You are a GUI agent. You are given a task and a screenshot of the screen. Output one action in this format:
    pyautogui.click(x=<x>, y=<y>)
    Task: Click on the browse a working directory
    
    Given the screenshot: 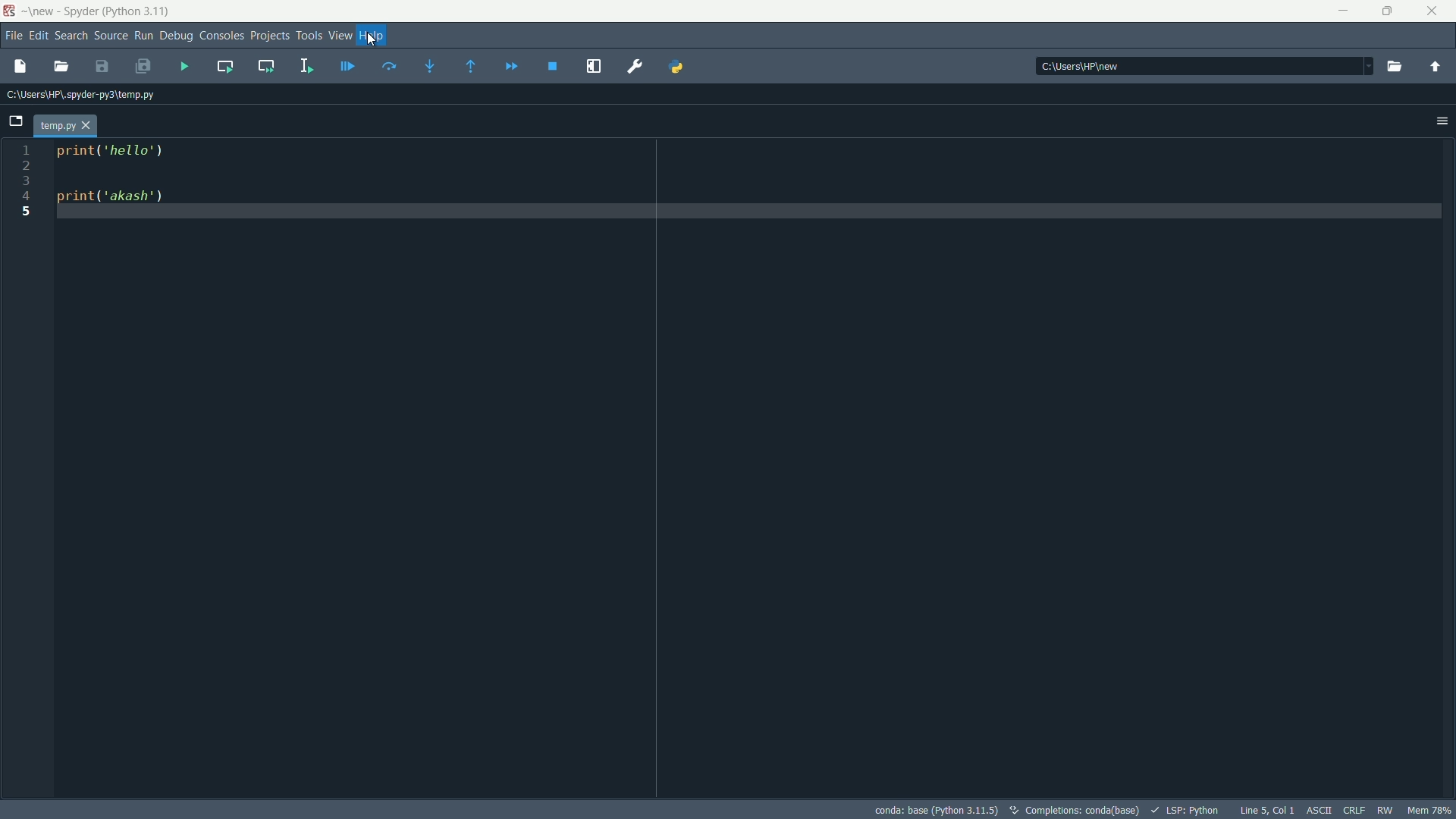 What is the action you would take?
    pyautogui.click(x=1394, y=67)
    